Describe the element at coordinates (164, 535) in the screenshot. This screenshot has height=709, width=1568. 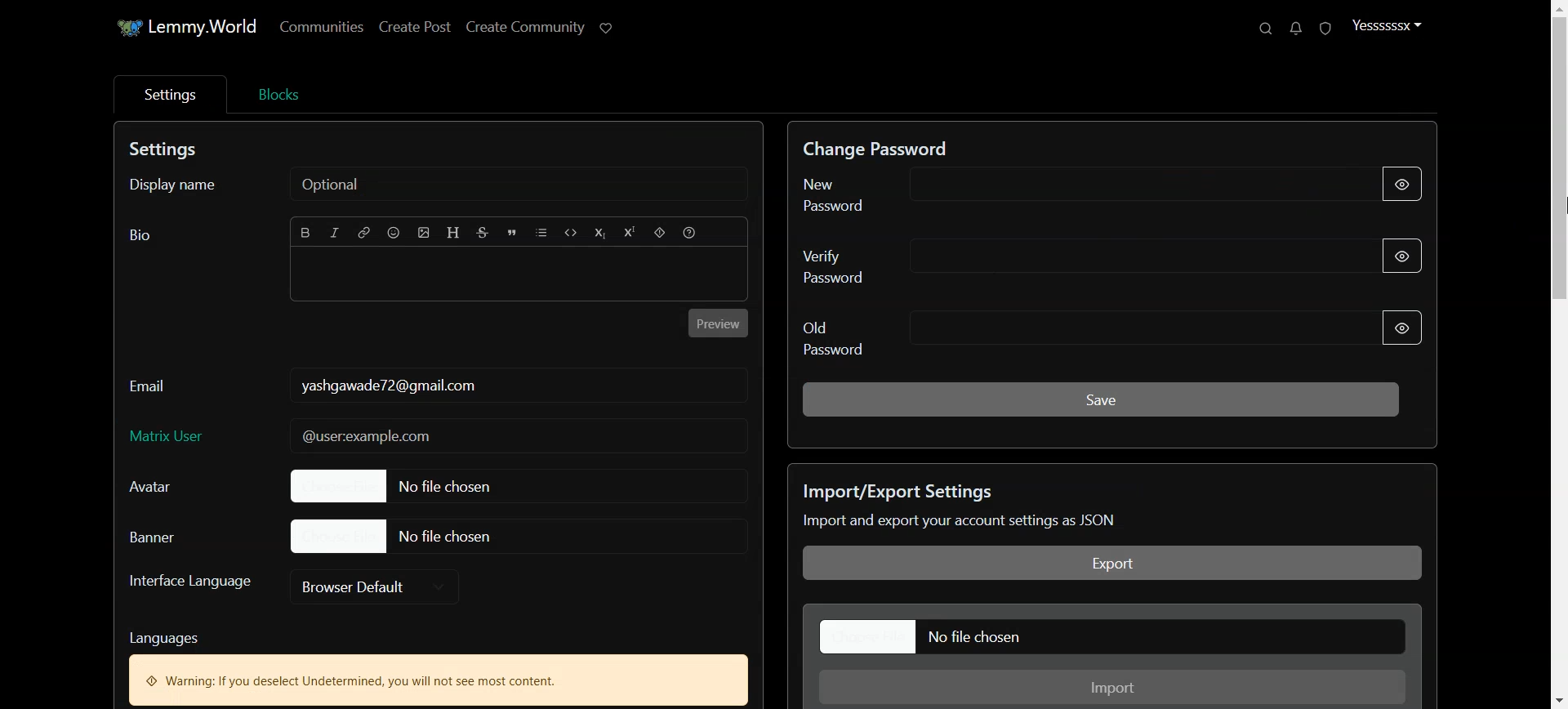
I see `Banner` at that location.